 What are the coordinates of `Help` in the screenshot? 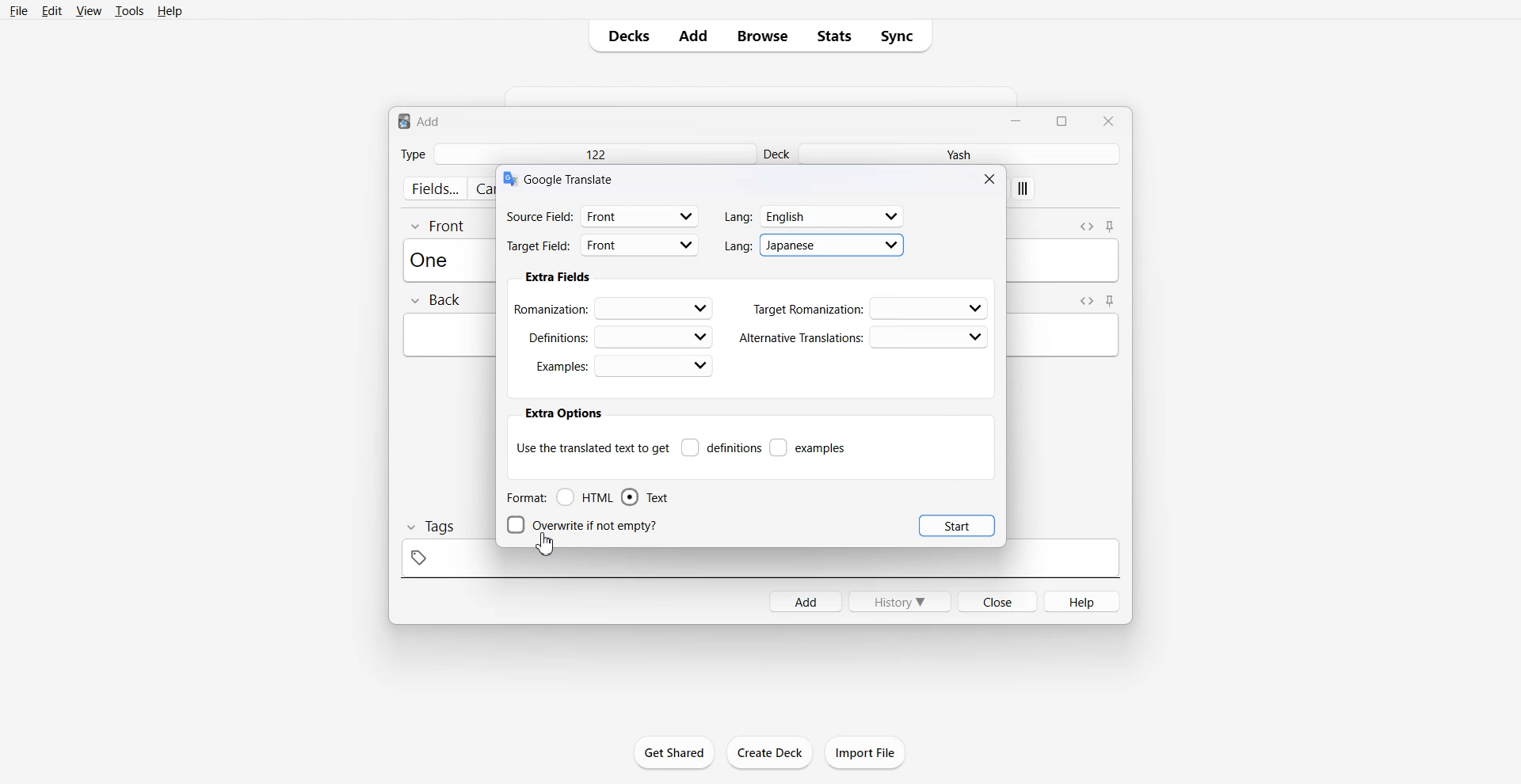 It's located at (1083, 601).